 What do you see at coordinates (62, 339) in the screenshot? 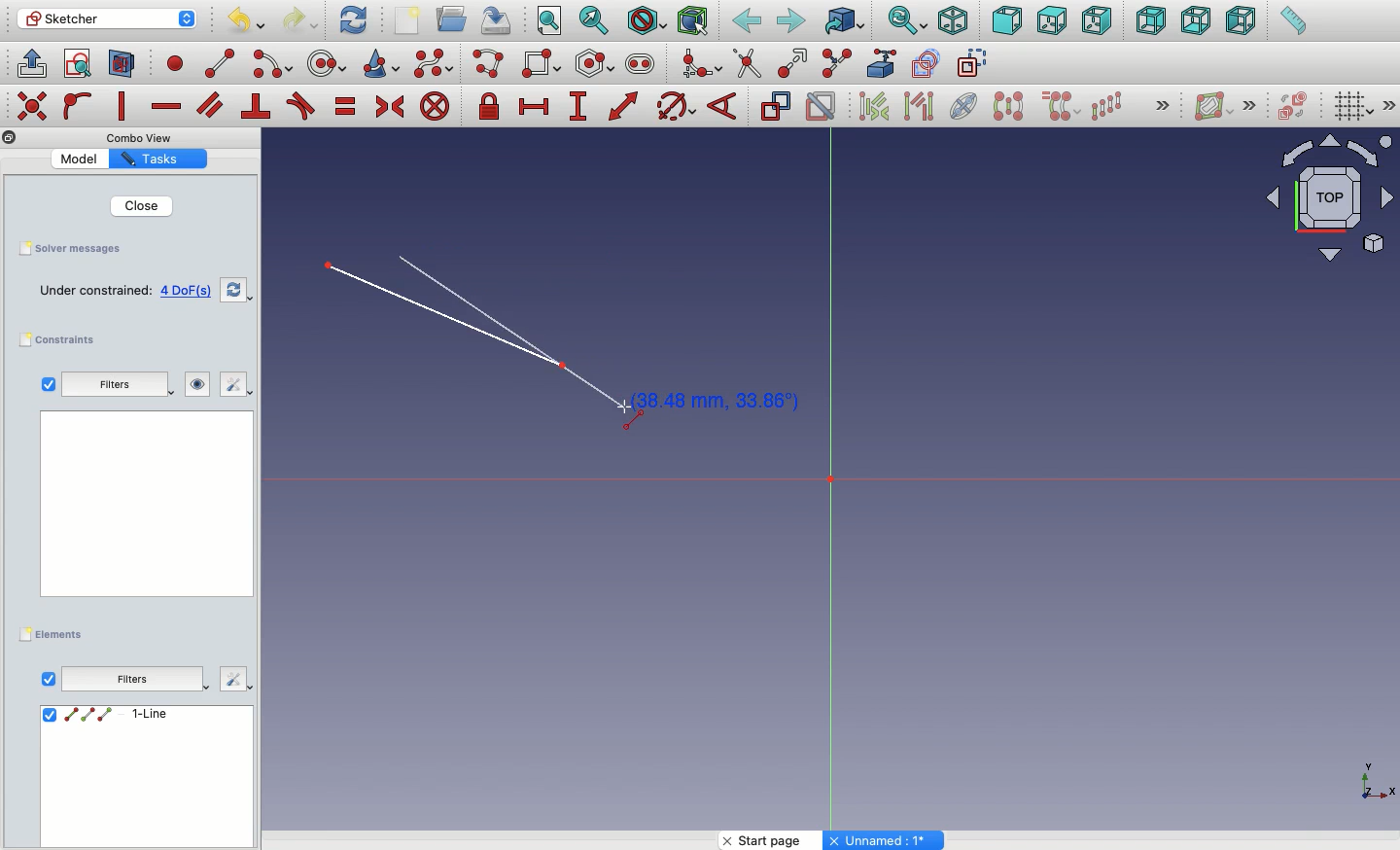
I see `Constraints ` at bounding box center [62, 339].